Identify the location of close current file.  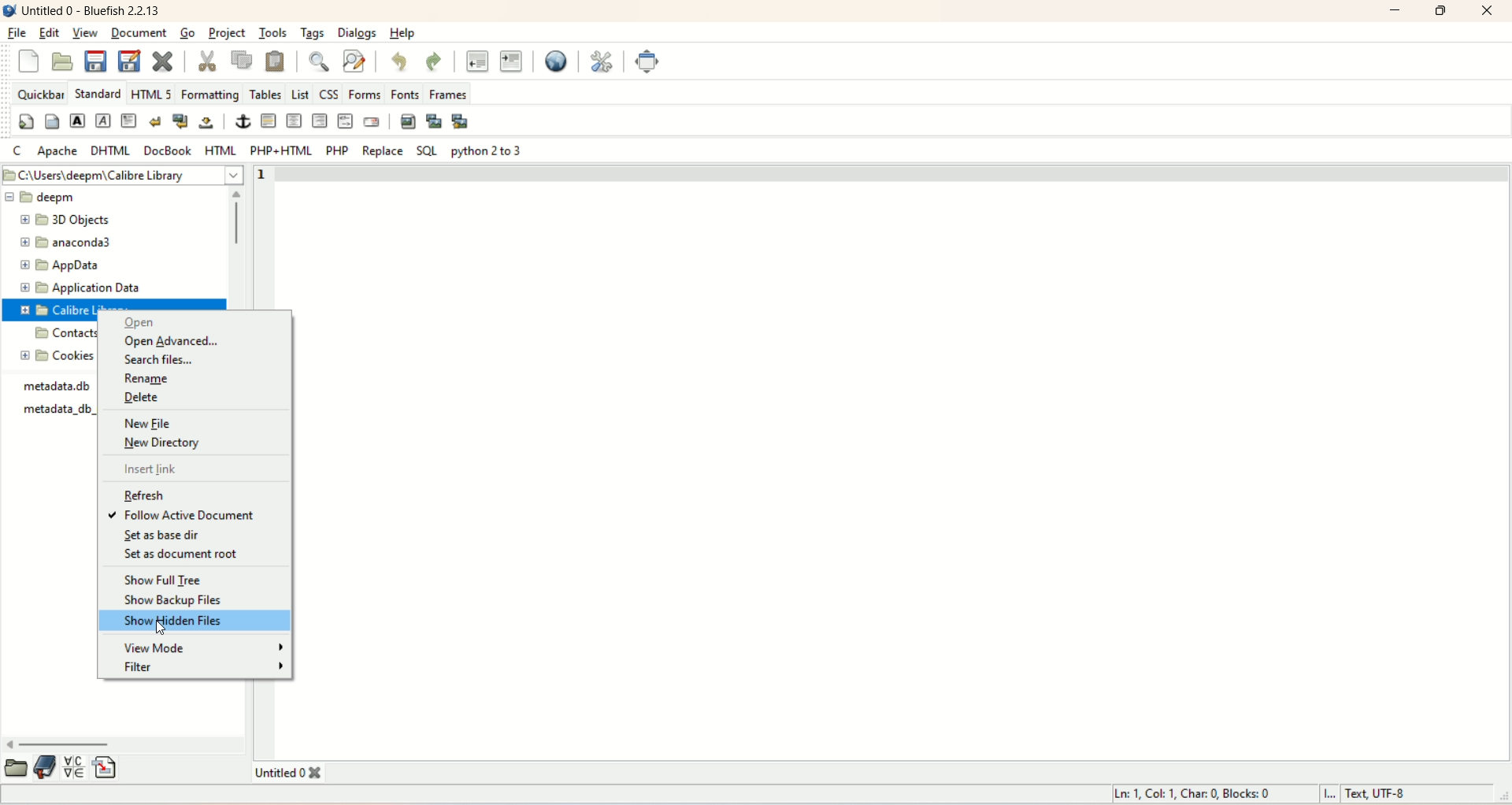
(161, 59).